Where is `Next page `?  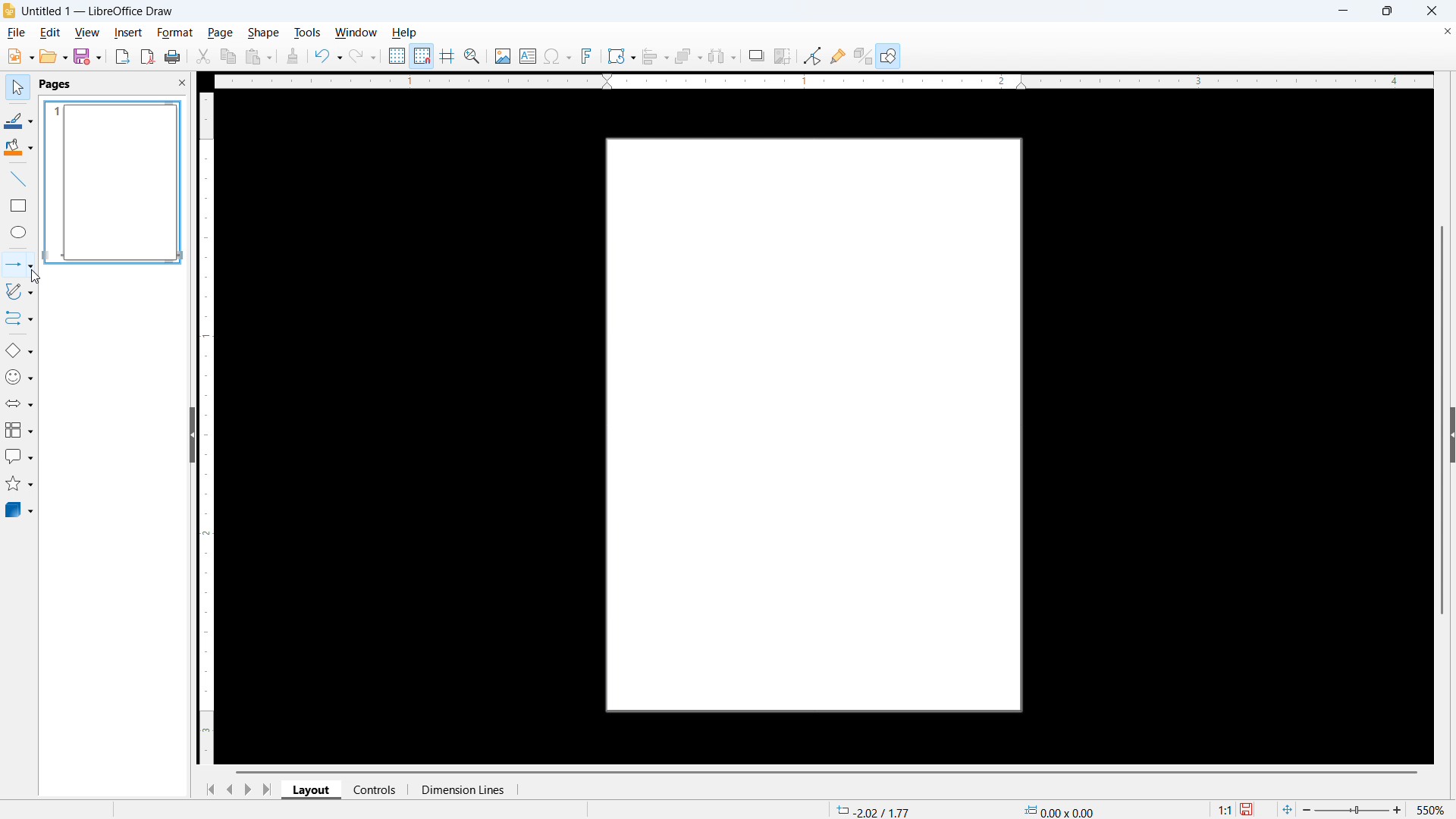
Next page  is located at coordinates (247, 789).